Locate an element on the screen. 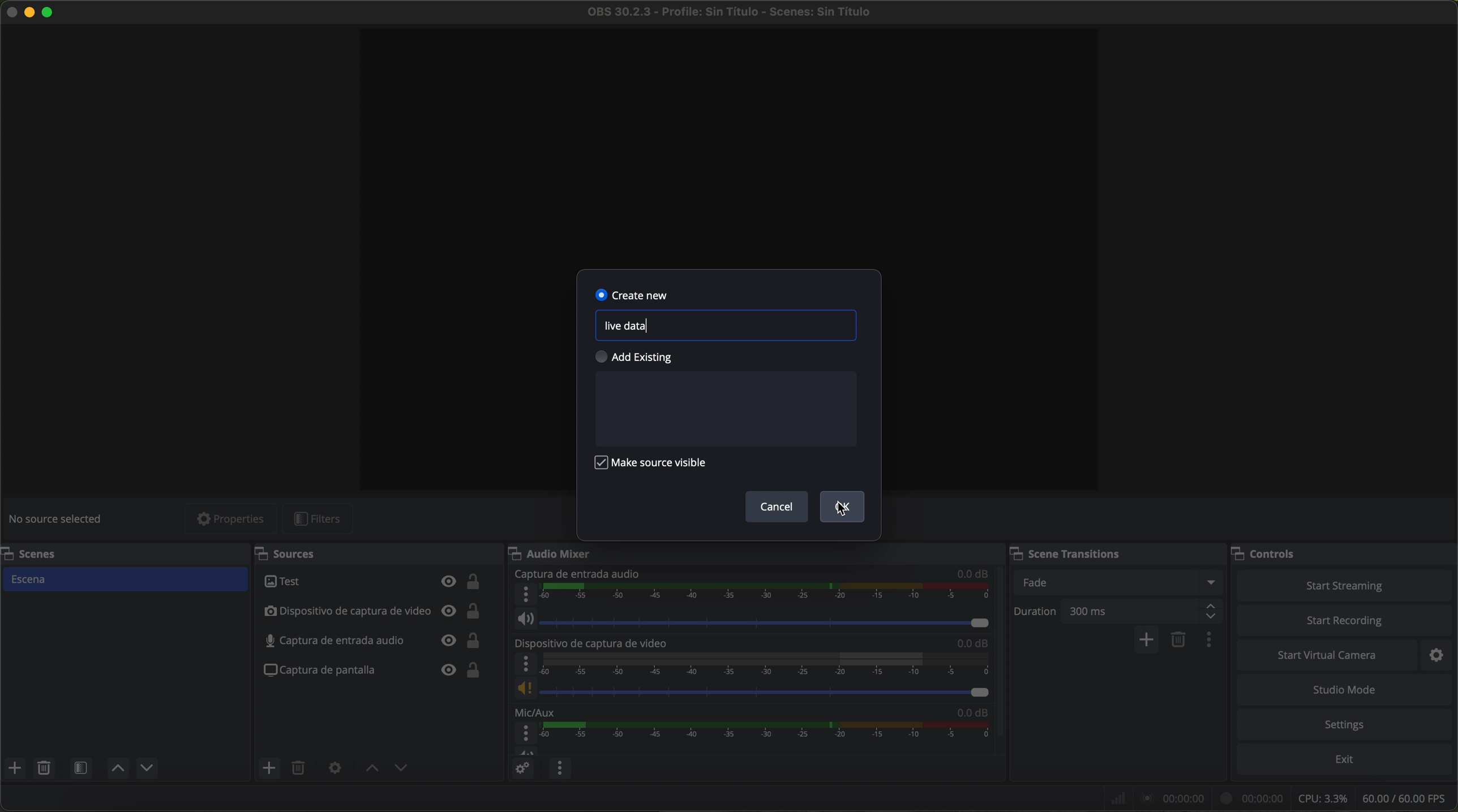 The width and height of the screenshot is (1458, 812). click on OK is located at coordinates (844, 508).